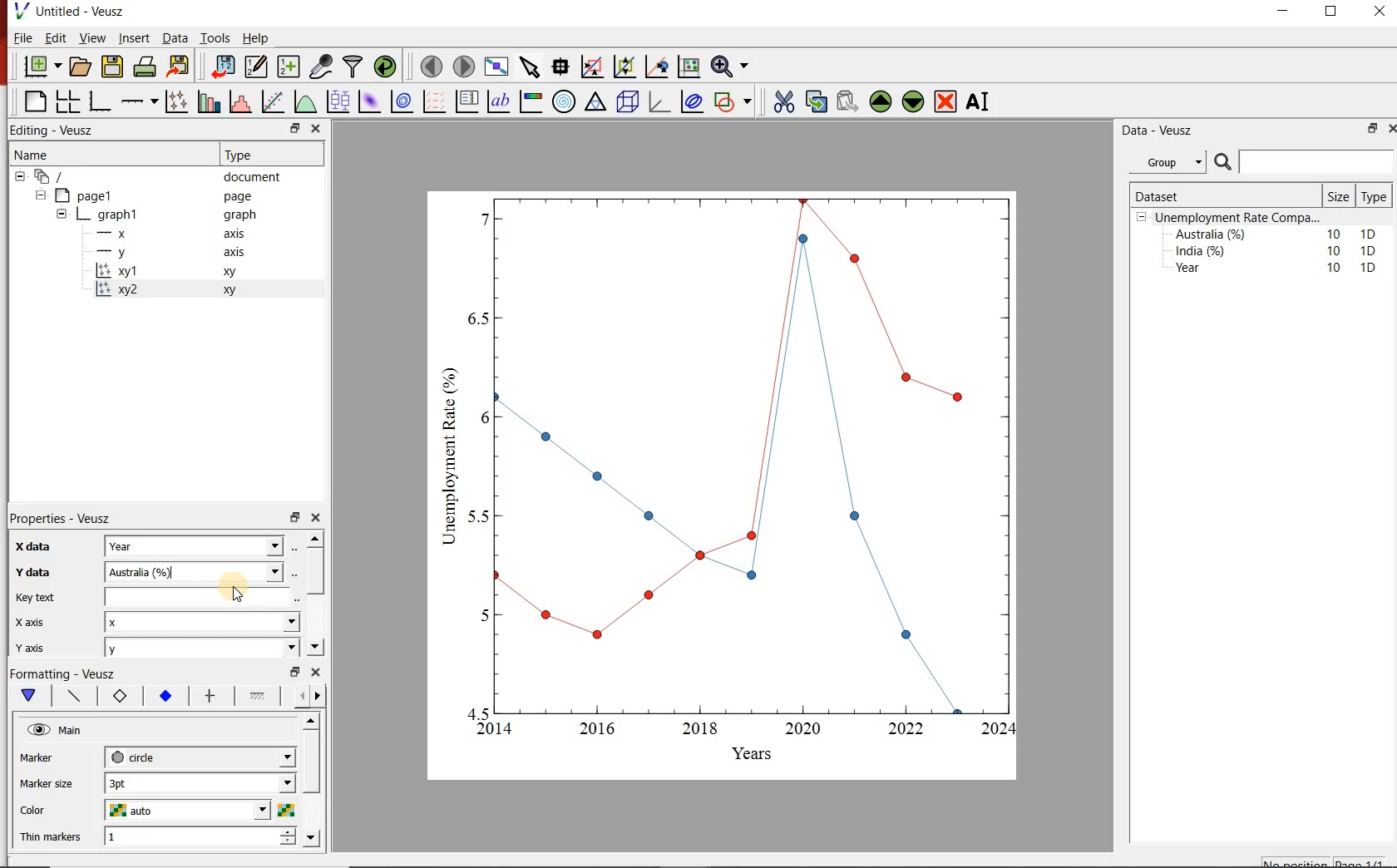  Describe the element at coordinates (689, 65) in the screenshot. I see `click to resset graph axes` at that location.